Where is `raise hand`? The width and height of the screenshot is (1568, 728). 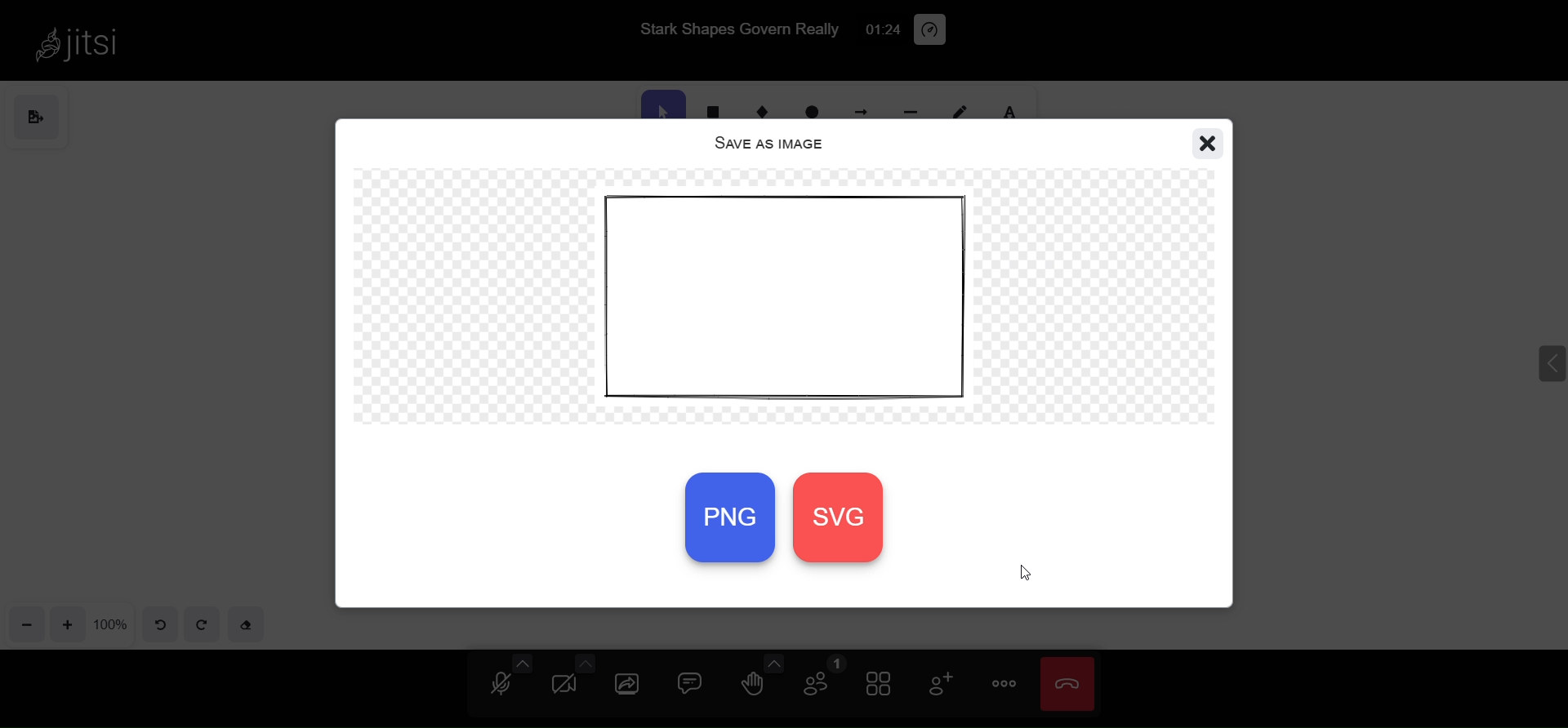
raise hand is located at coordinates (751, 687).